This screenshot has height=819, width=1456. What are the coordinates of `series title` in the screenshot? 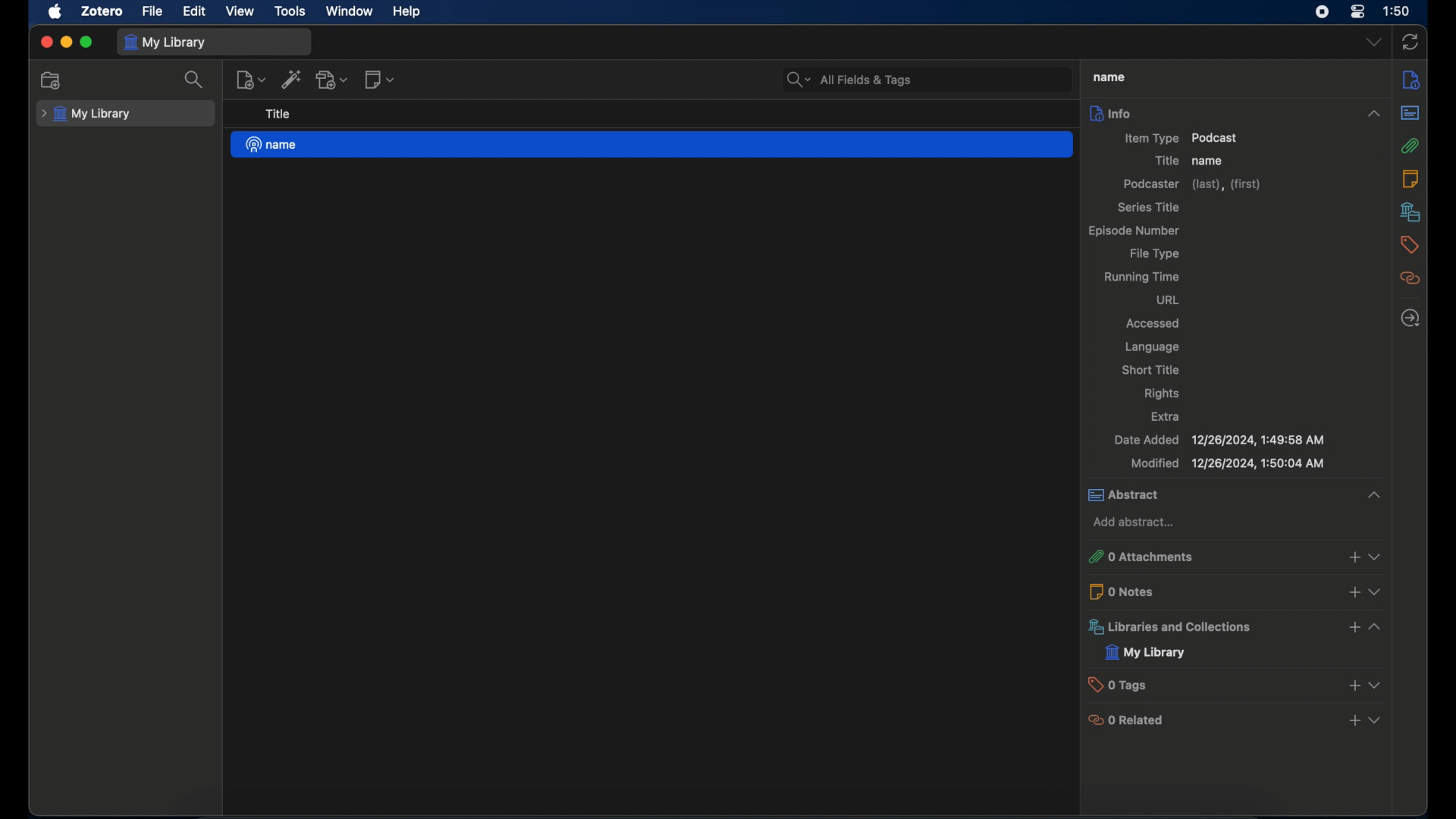 It's located at (1148, 207).